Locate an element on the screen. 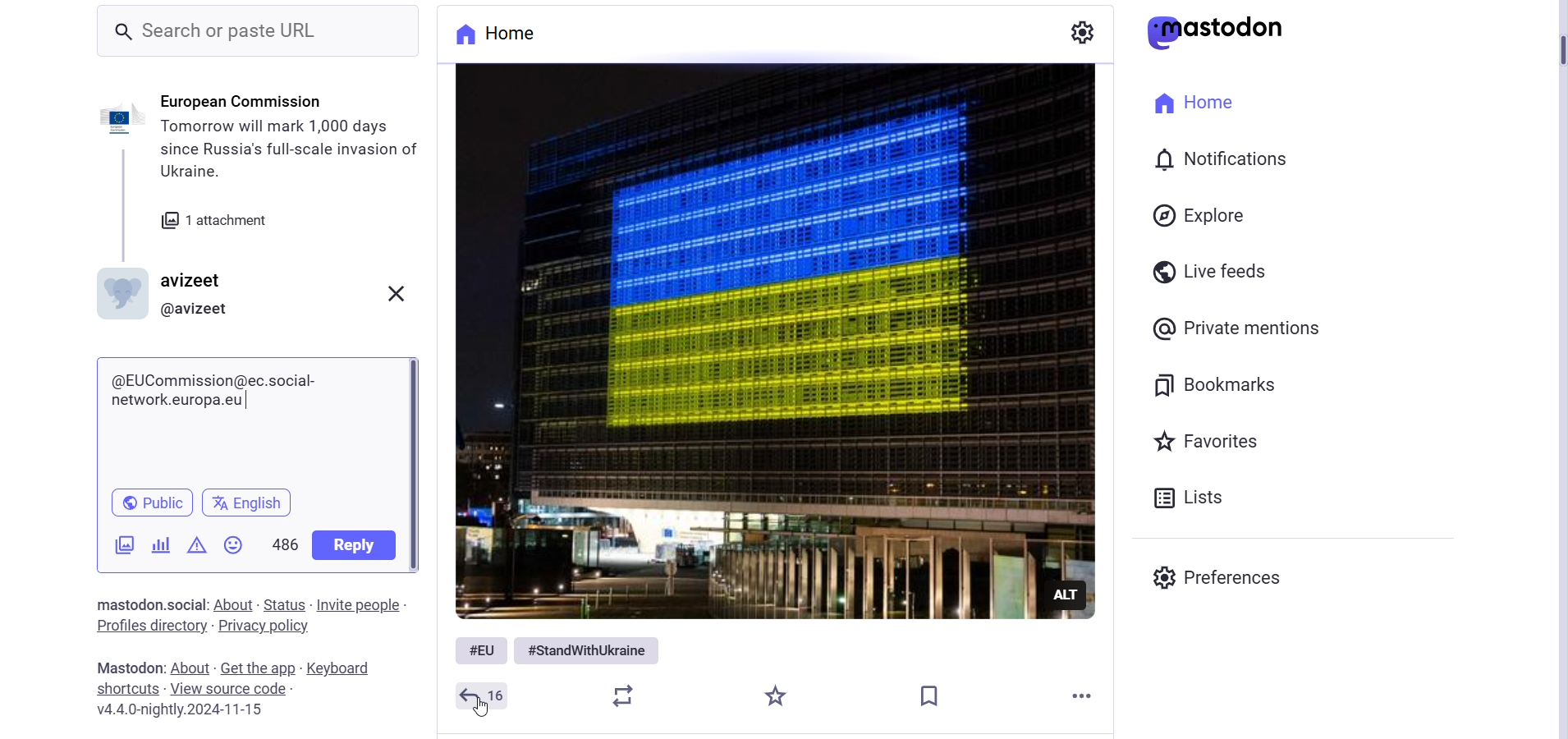 Image resolution: width=1568 pixels, height=739 pixels. Lists is located at coordinates (1194, 498).